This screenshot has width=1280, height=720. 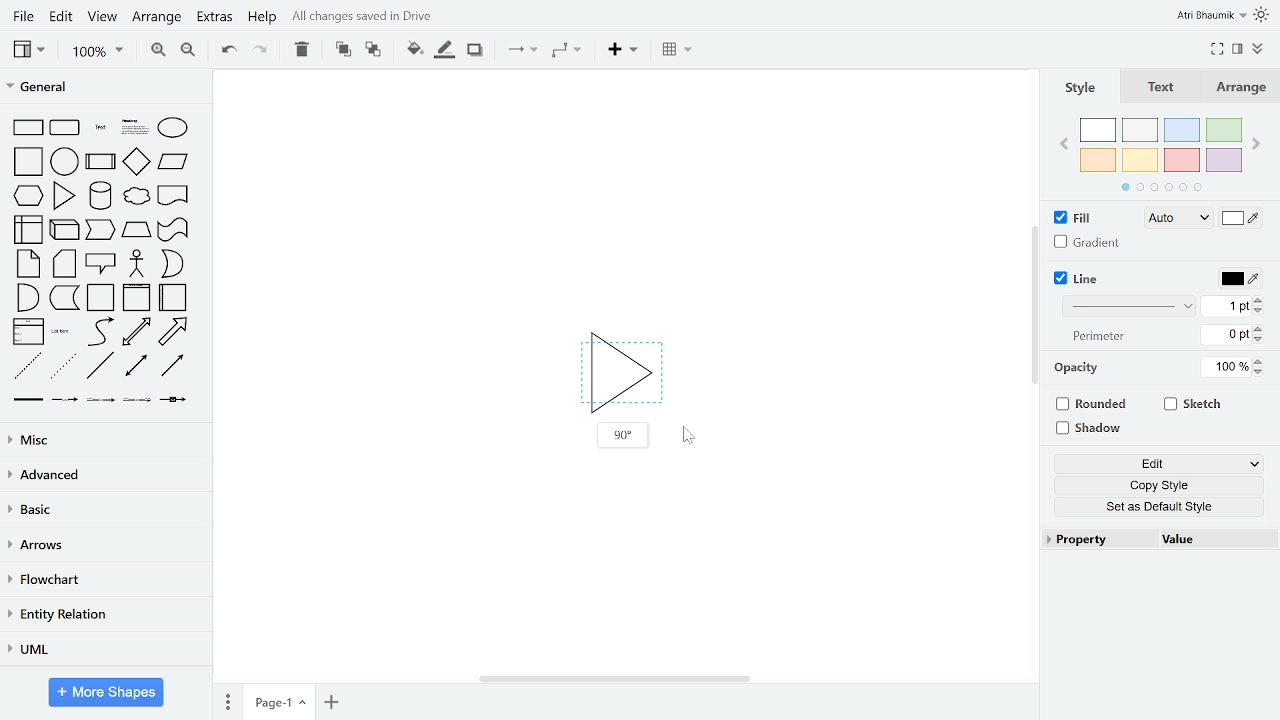 I want to click on collapse, so click(x=1258, y=50).